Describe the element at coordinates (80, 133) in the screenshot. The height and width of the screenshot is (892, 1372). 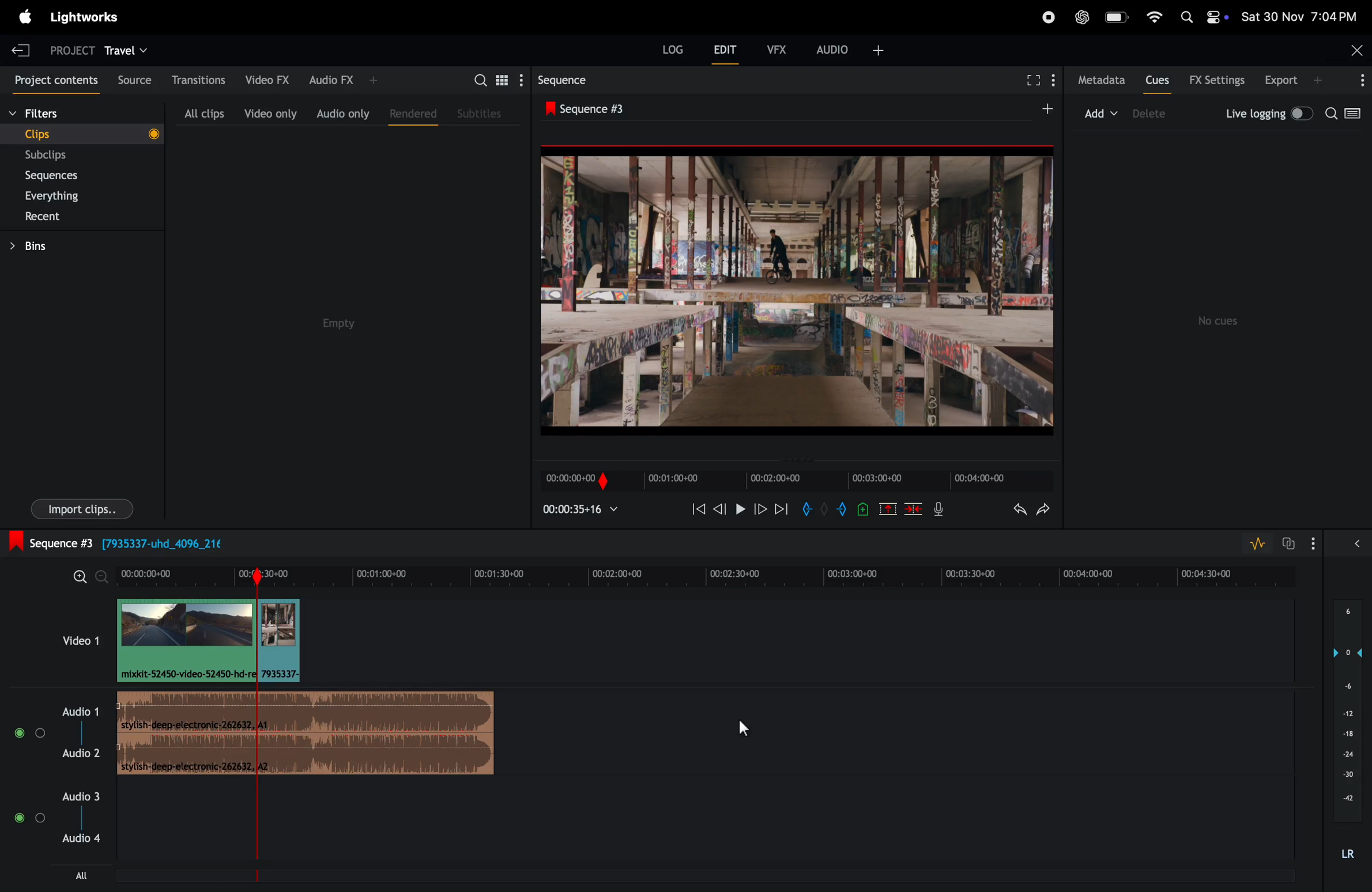
I see `clips` at that location.